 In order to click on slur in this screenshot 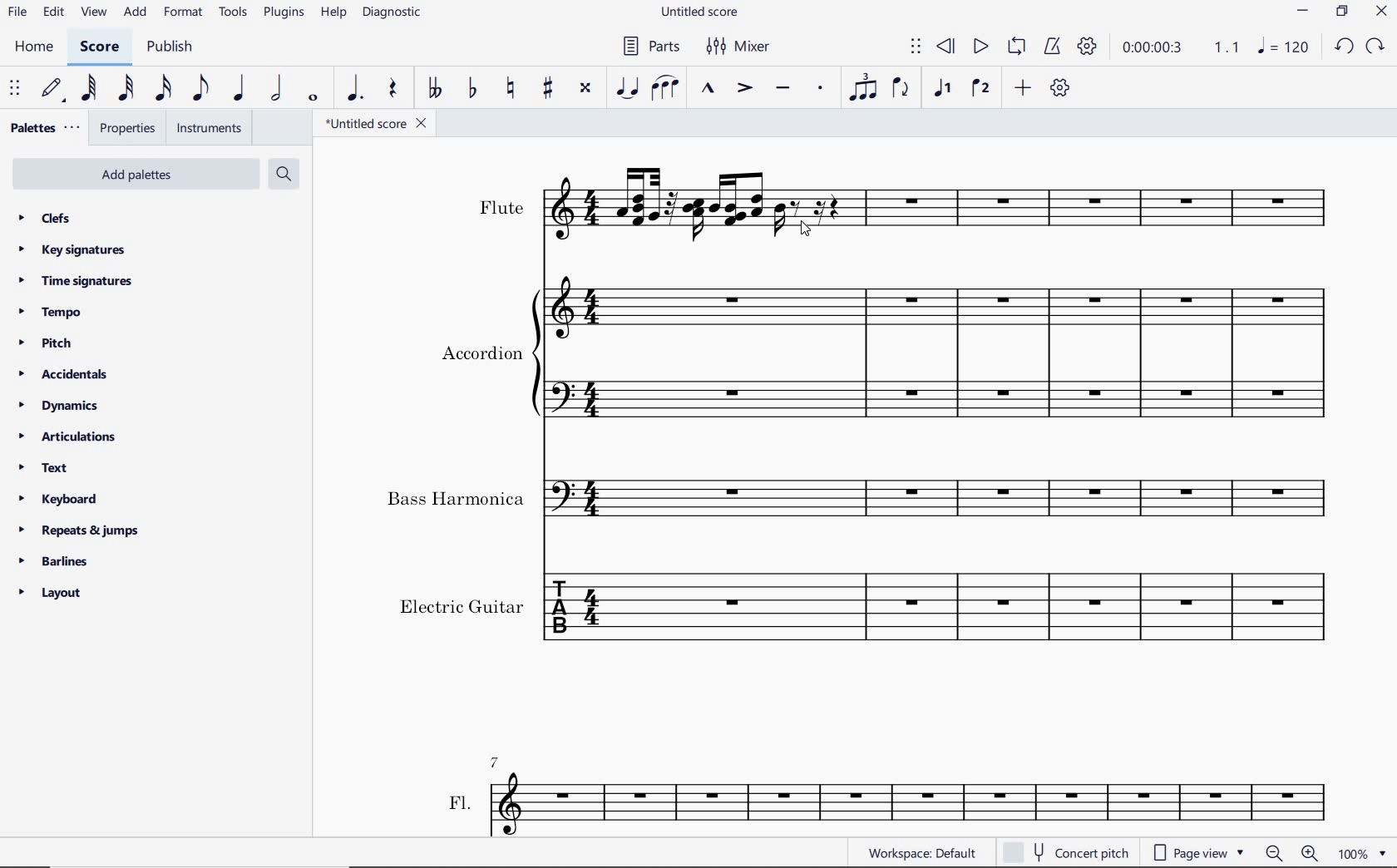, I will do `click(665, 89)`.